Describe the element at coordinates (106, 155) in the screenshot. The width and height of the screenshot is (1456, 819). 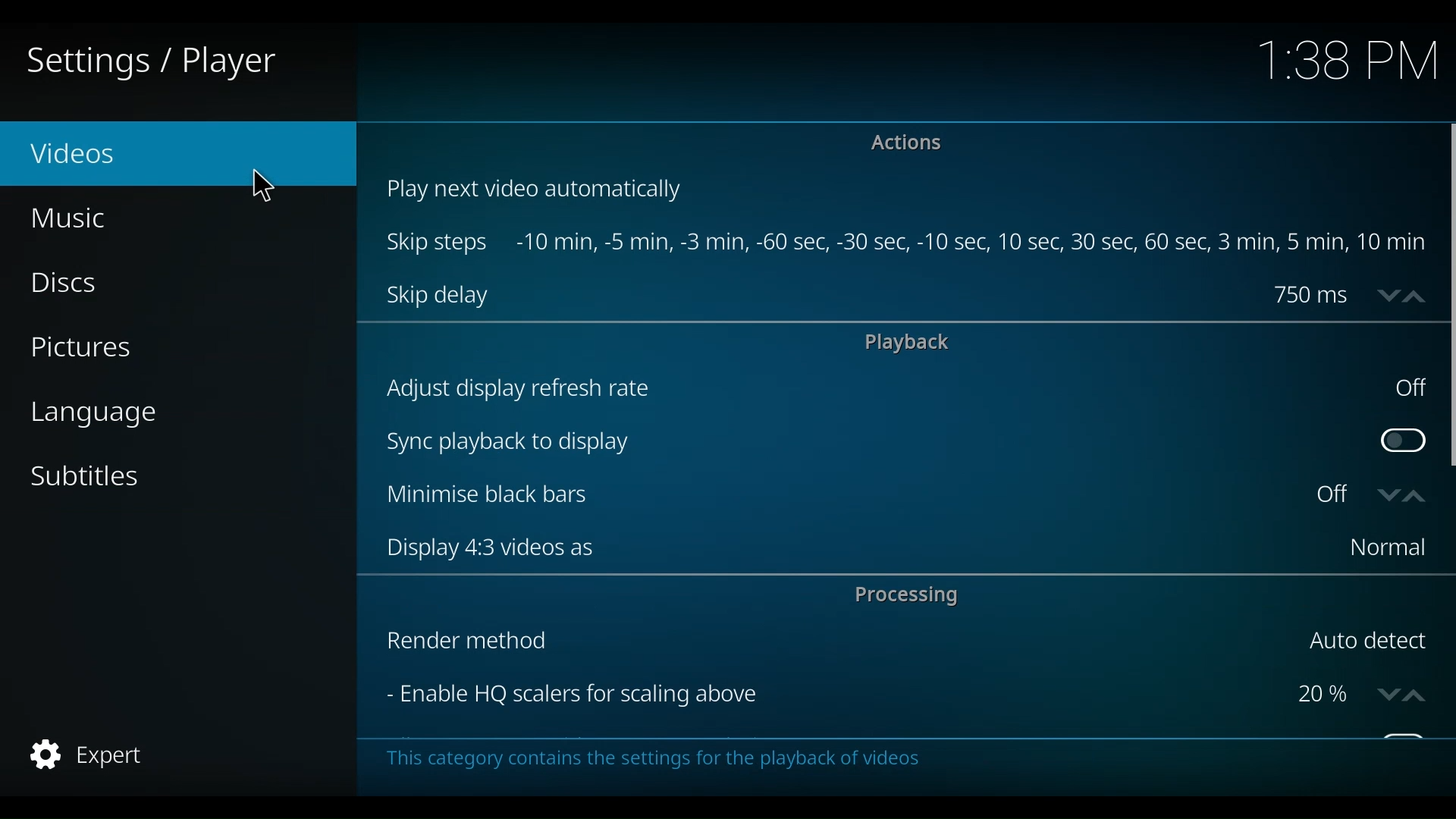
I see `Videos` at that location.